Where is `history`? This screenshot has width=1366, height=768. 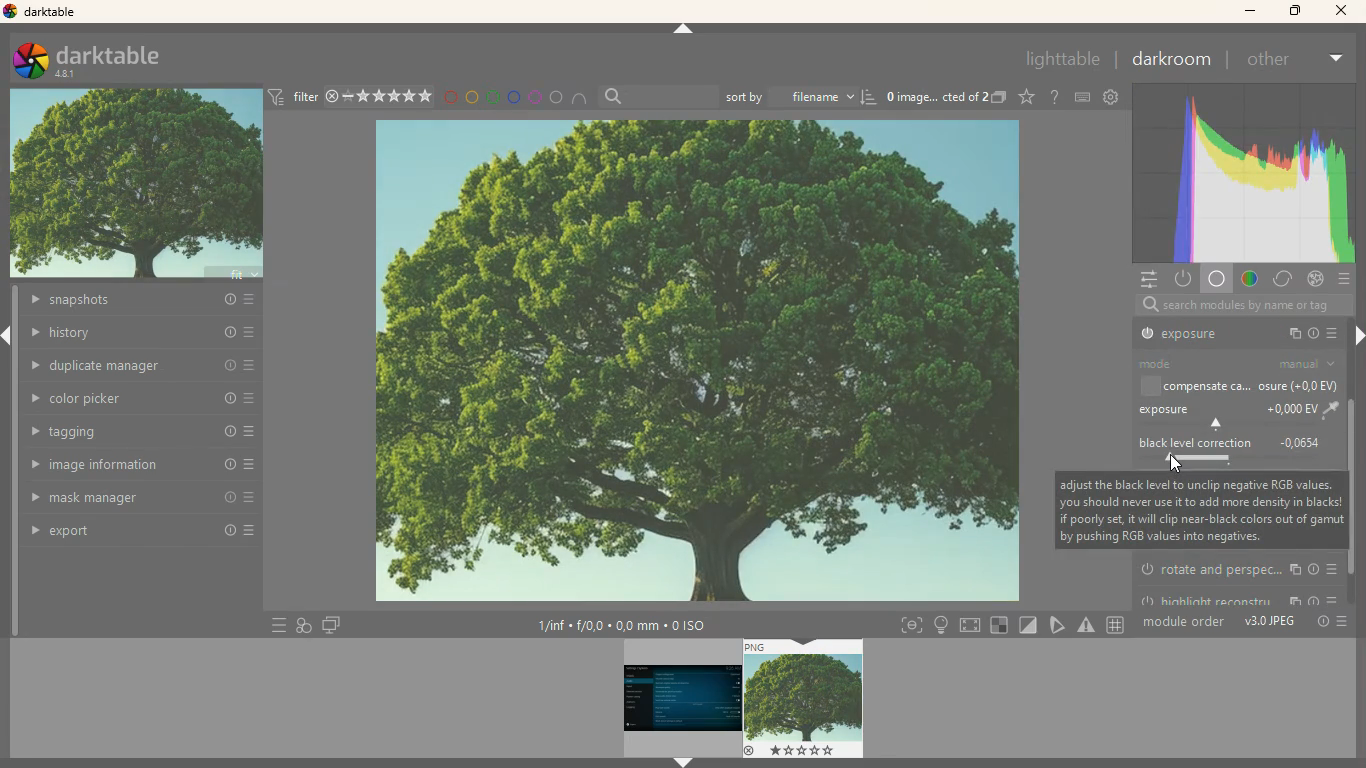 history is located at coordinates (143, 332).